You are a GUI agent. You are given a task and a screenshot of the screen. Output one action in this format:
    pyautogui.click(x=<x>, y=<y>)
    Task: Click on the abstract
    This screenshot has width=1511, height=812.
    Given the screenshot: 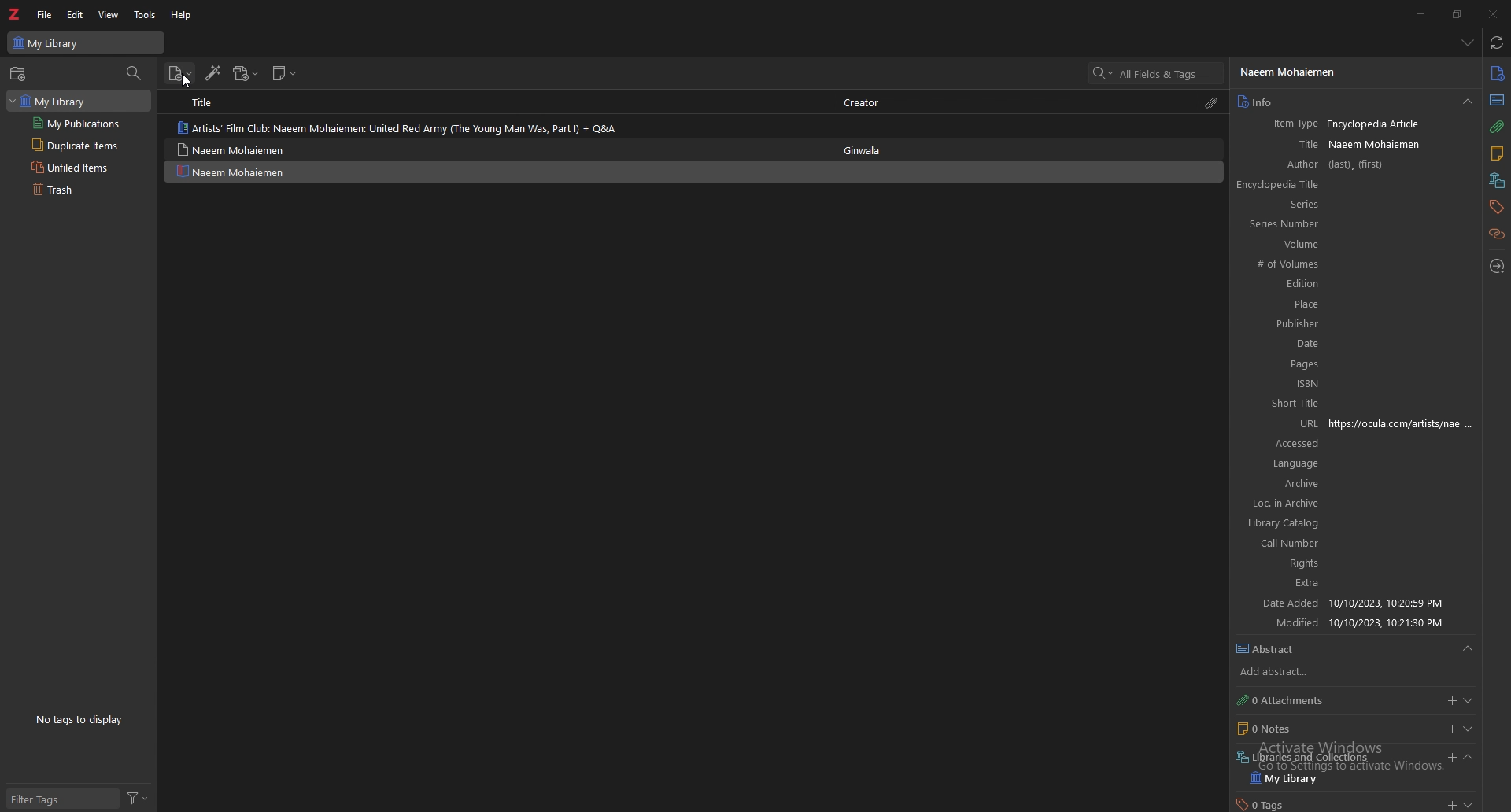 What is the action you would take?
    pyautogui.click(x=1497, y=100)
    